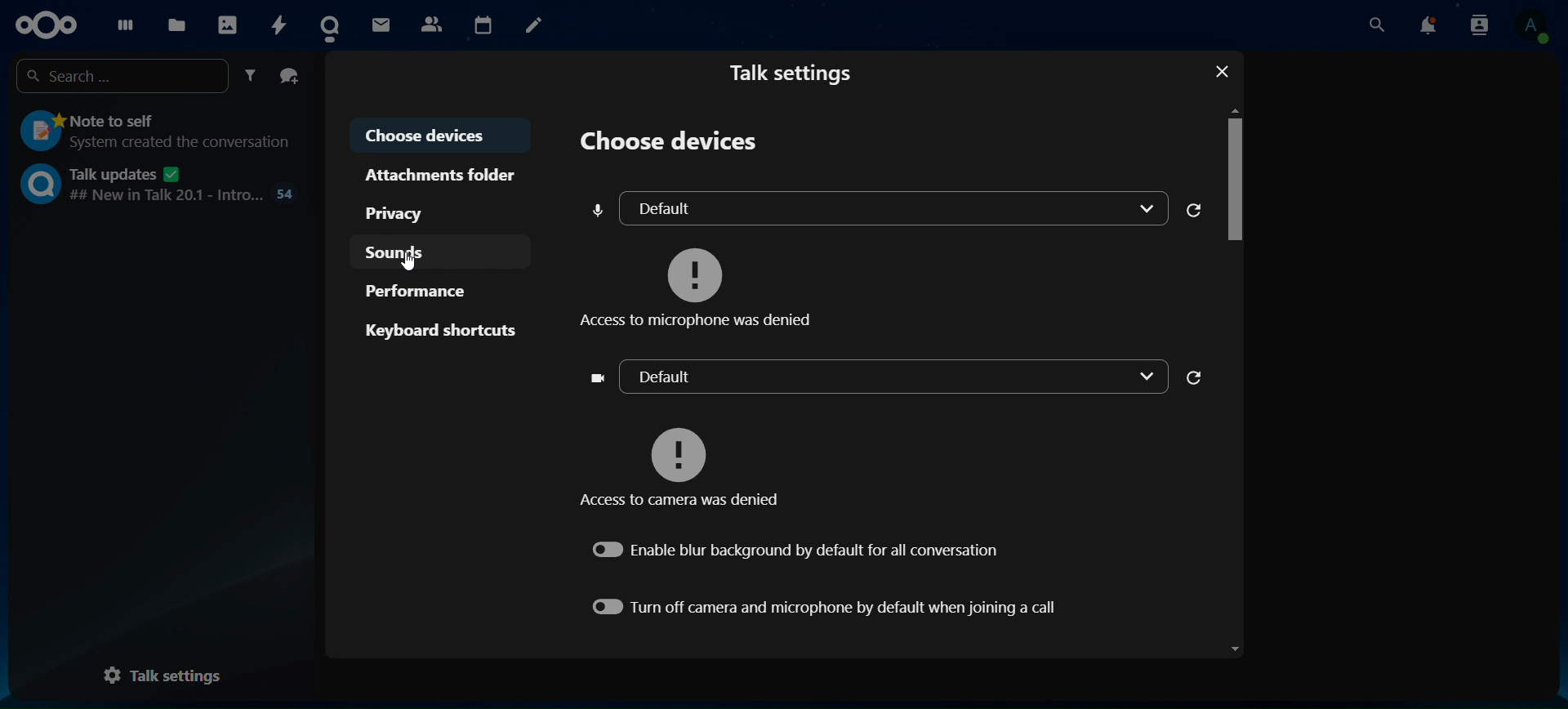 The width and height of the screenshot is (1568, 709). Describe the element at coordinates (1378, 25) in the screenshot. I see `search` at that location.